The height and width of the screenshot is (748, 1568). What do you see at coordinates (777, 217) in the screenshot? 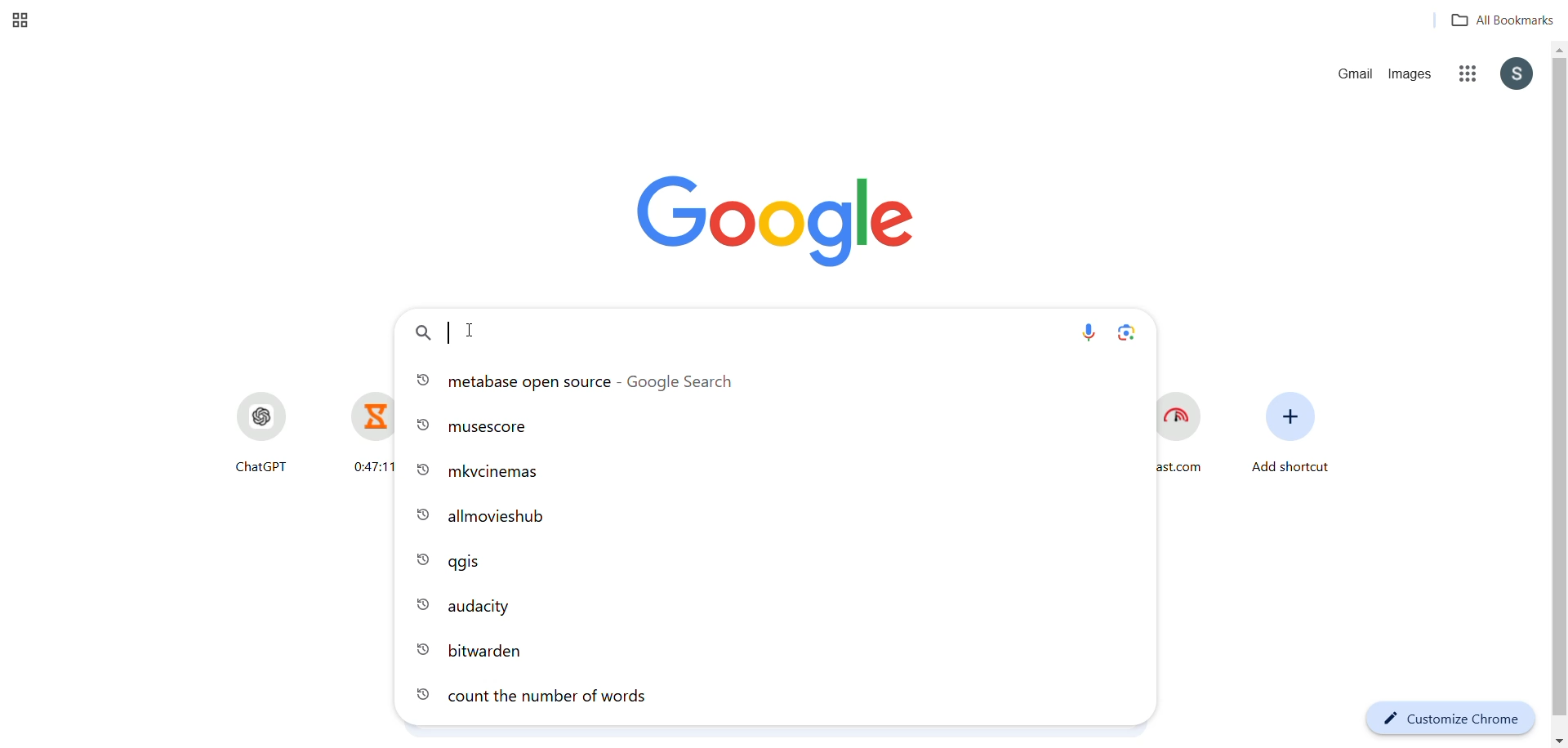
I see `google logo` at bounding box center [777, 217].